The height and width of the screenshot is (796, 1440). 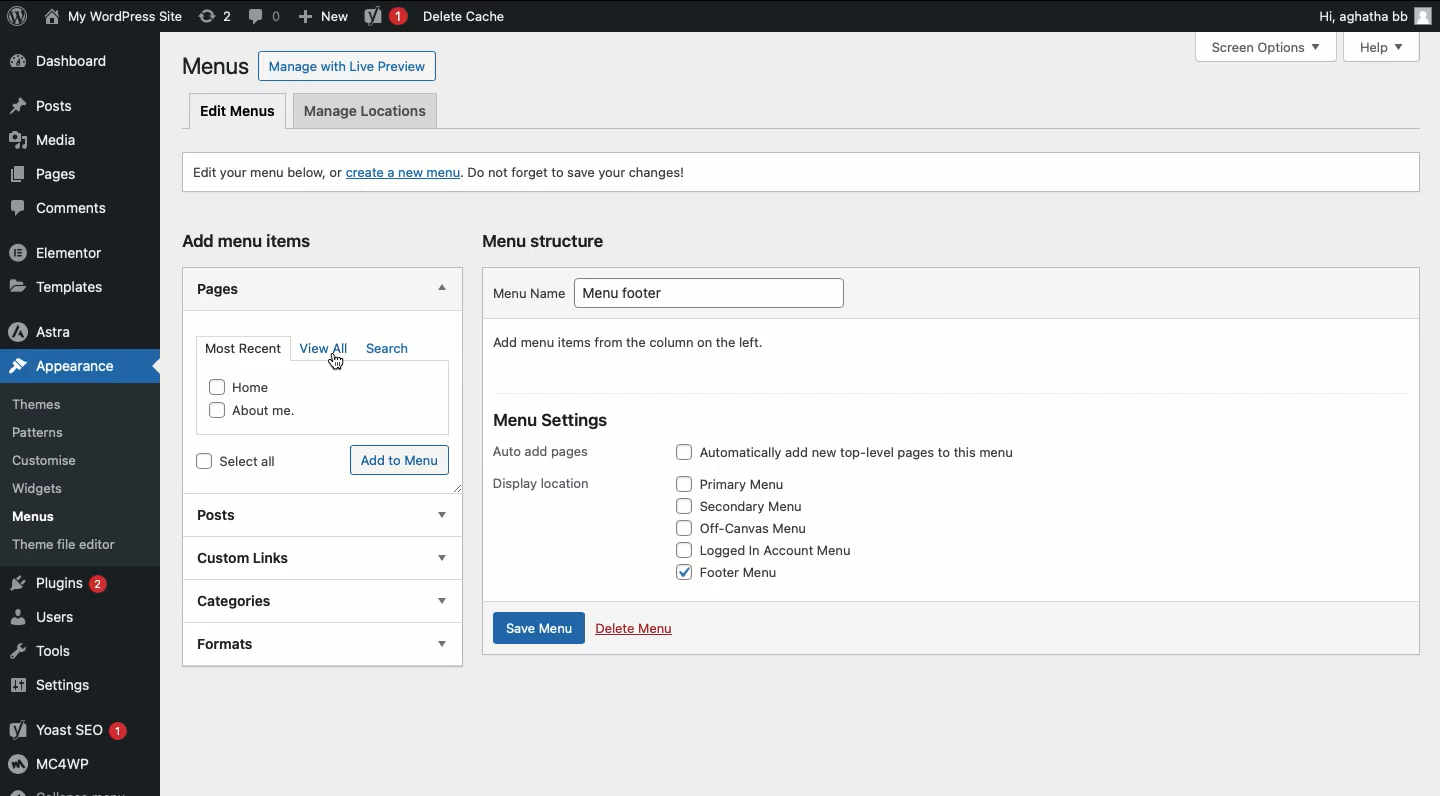 What do you see at coordinates (281, 555) in the screenshot?
I see `Custom links` at bounding box center [281, 555].